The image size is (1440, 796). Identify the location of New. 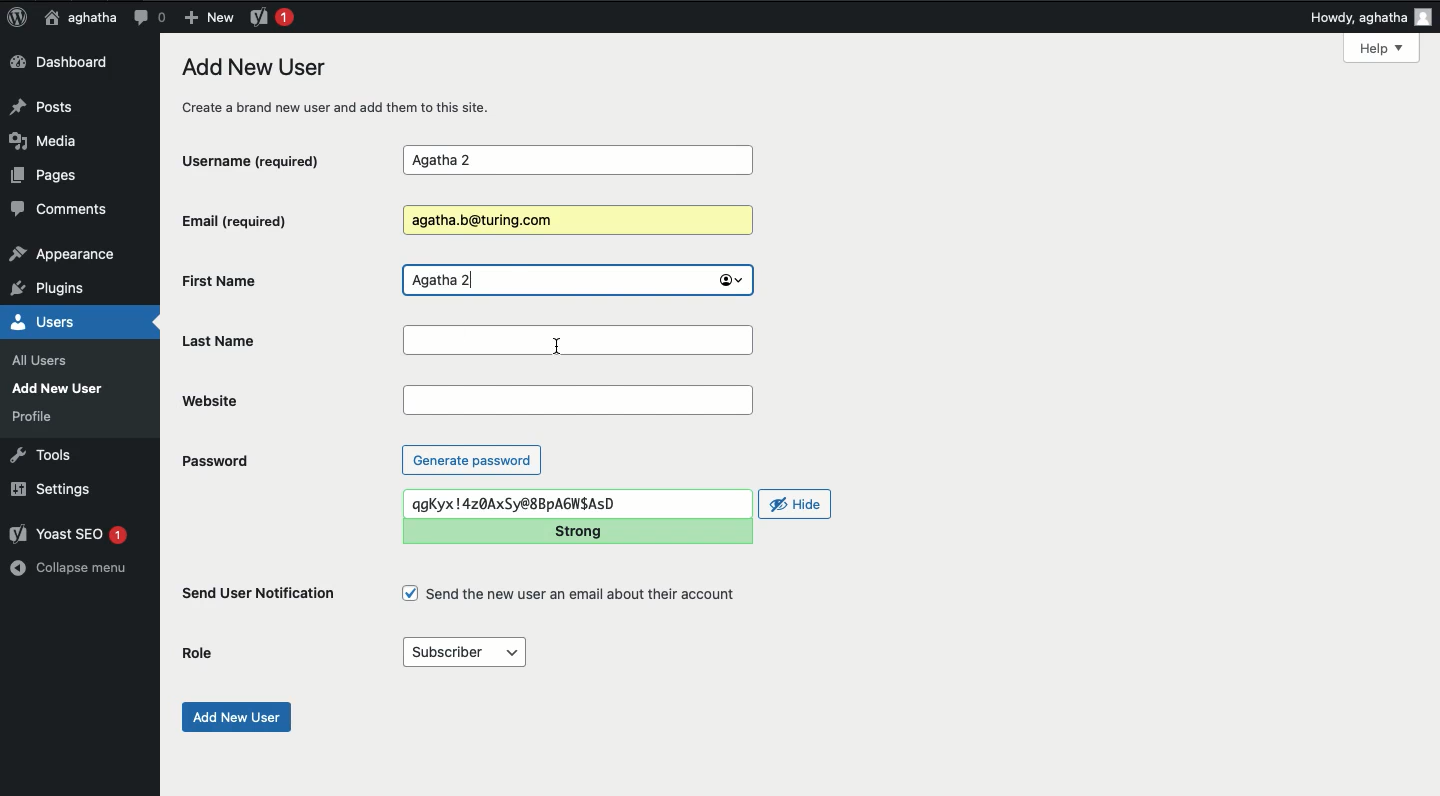
(208, 16).